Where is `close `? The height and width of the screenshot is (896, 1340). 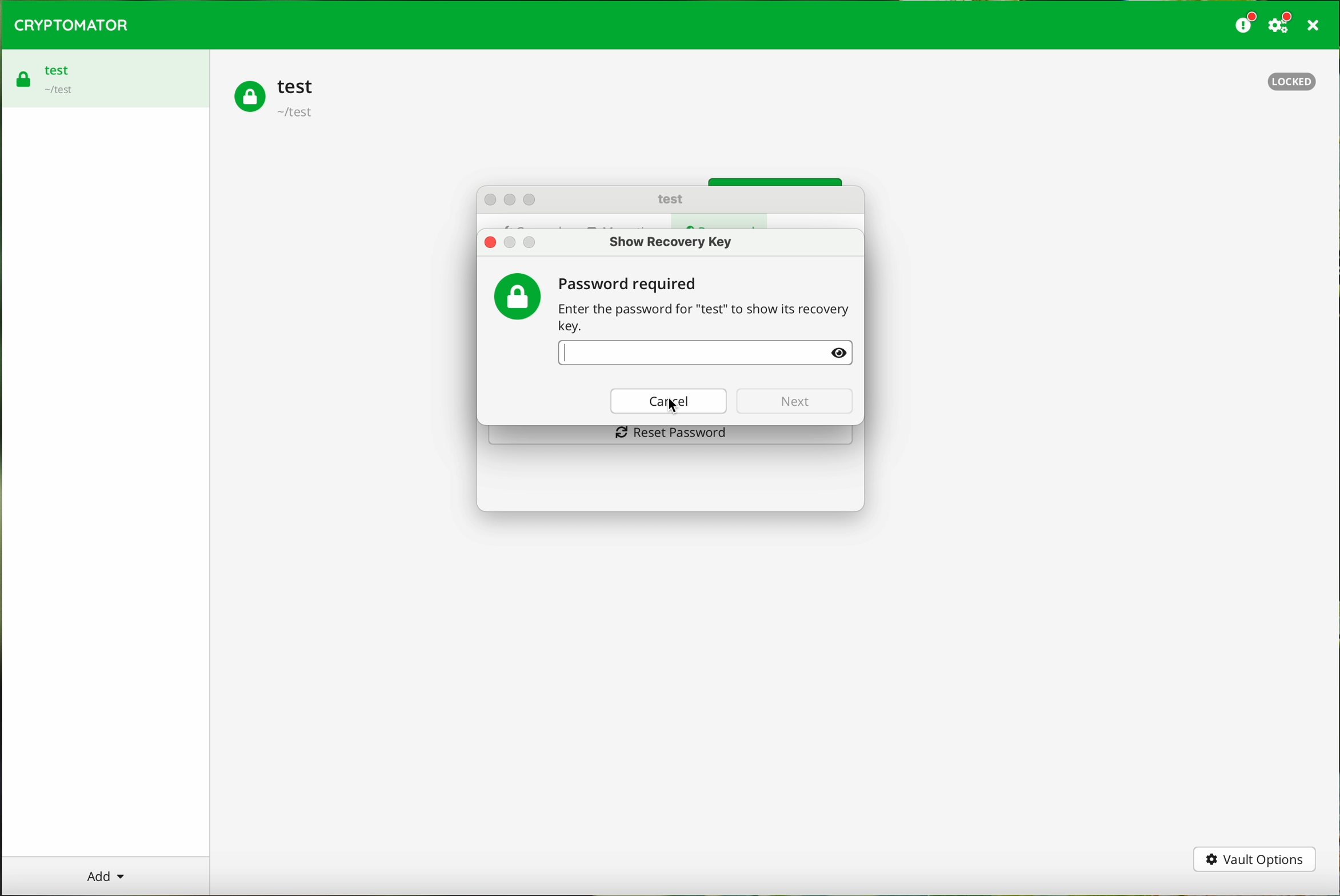
close  is located at coordinates (490, 242).